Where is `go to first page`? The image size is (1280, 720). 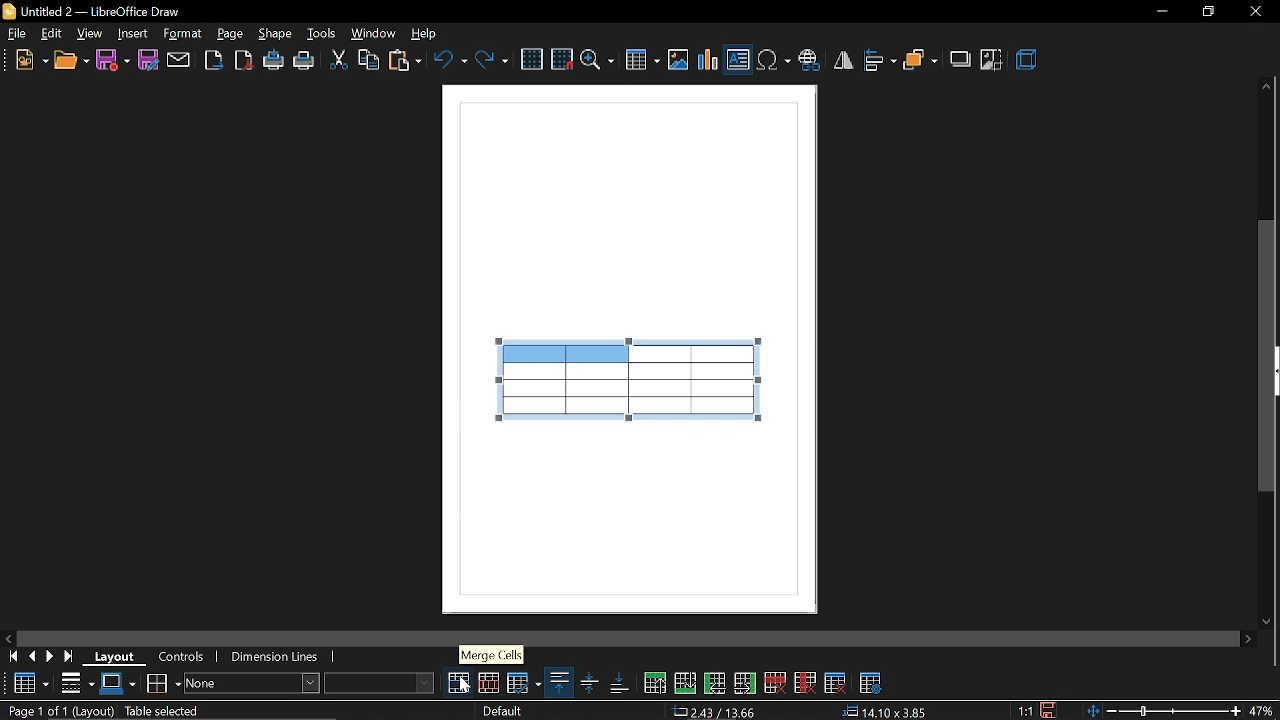
go to first page is located at coordinates (10, 656).